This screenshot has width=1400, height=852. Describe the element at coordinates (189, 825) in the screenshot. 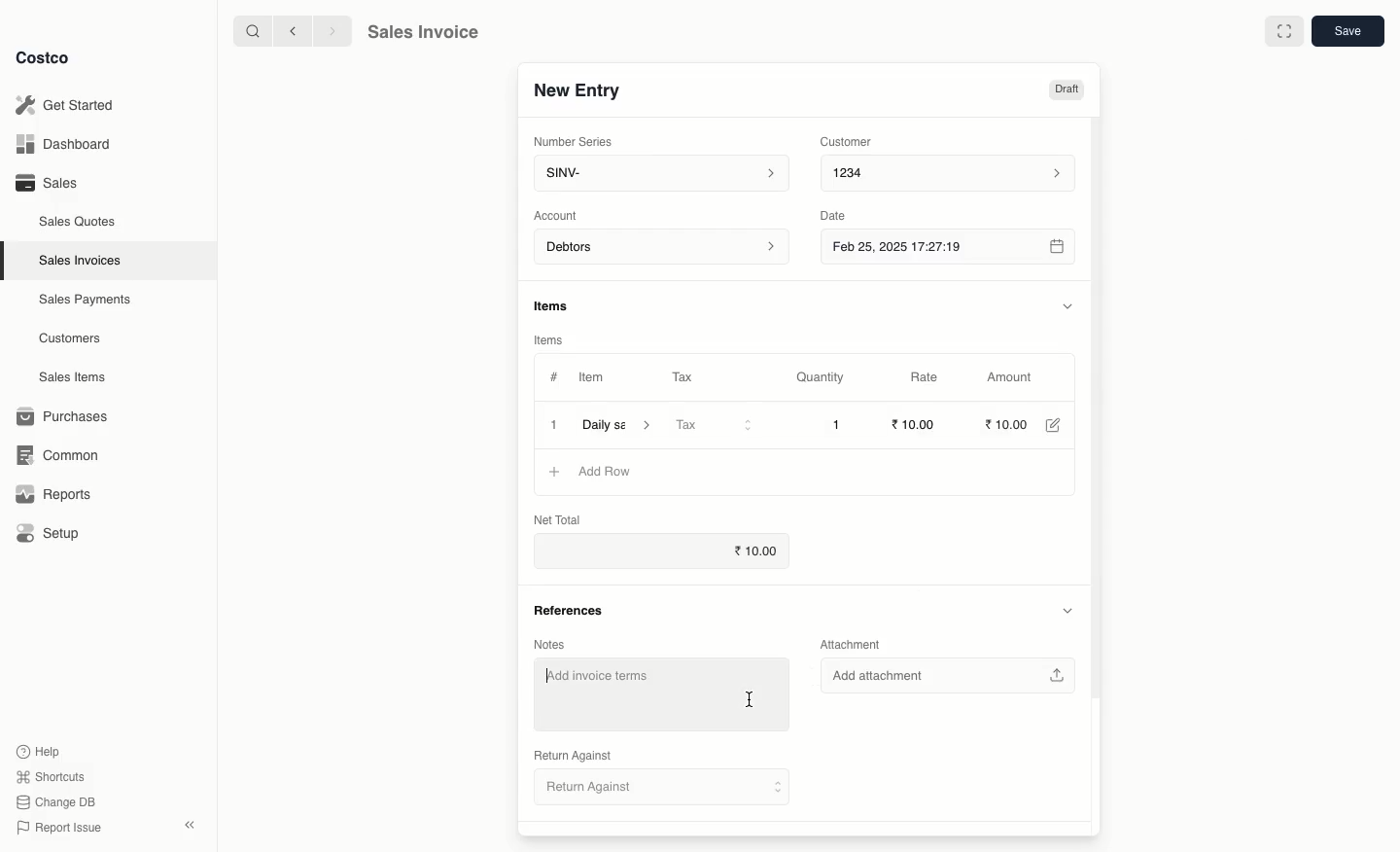

I see `Collapse` at that location.